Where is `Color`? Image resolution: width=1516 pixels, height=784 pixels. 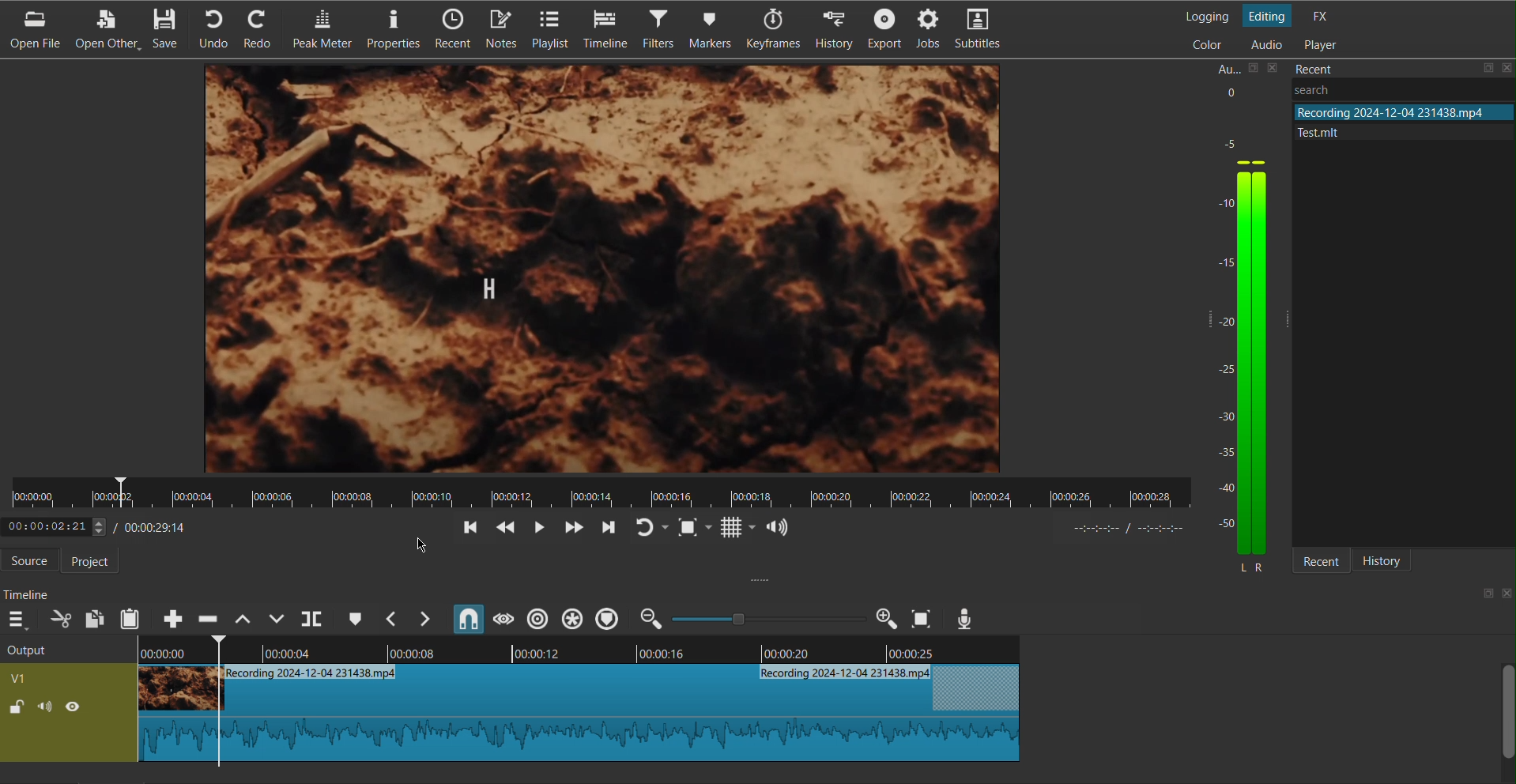 Color is located at coordinates (1205, 43).